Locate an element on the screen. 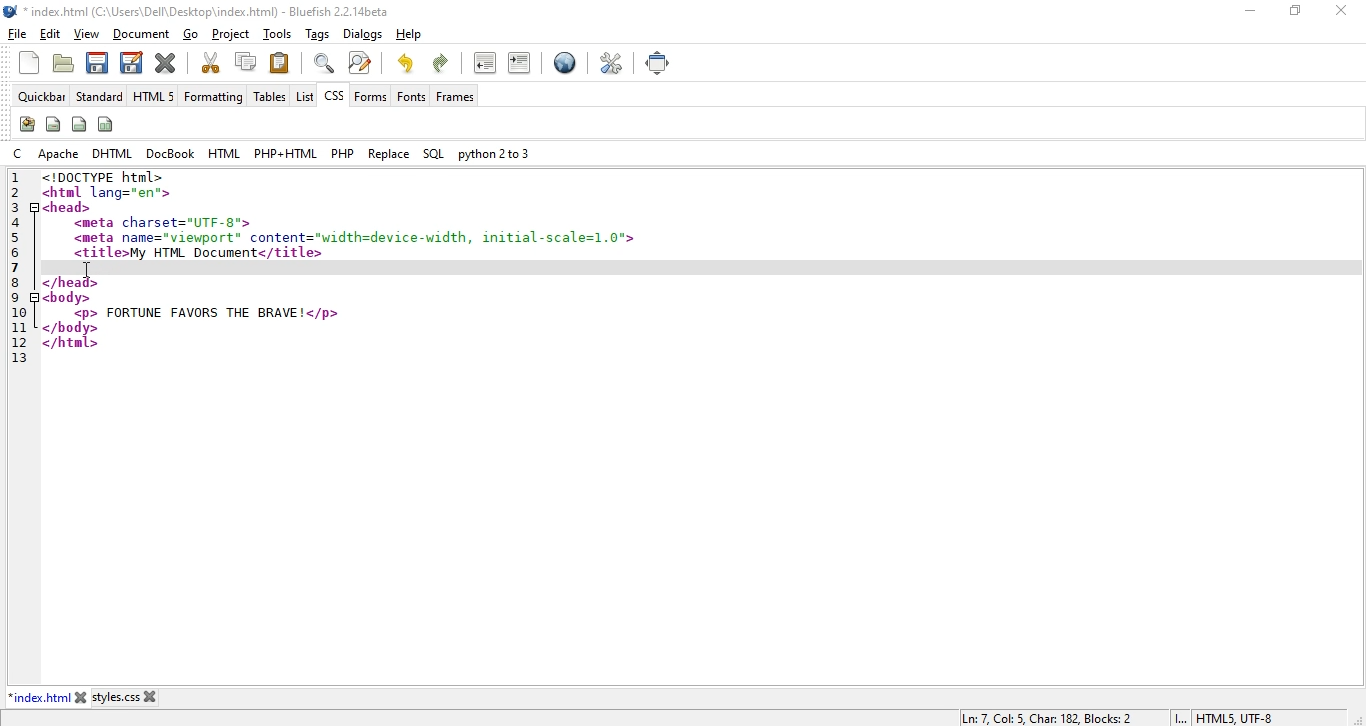 This screenshot has height=726, width=1366. tables is located at coordinates (269, 97).